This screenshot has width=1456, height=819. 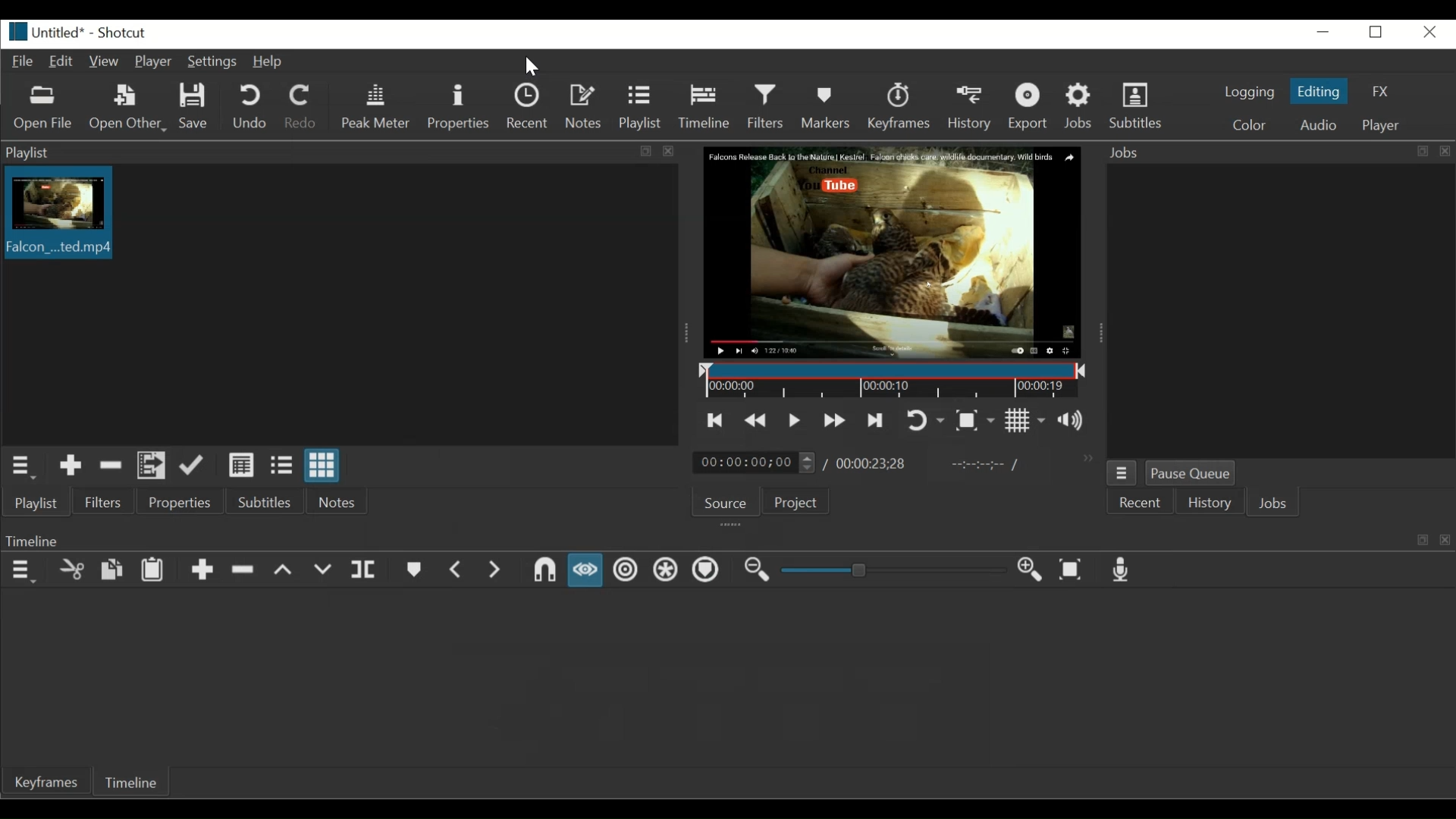 I want to click on Ripple Markers, so click(x=704, y=570).